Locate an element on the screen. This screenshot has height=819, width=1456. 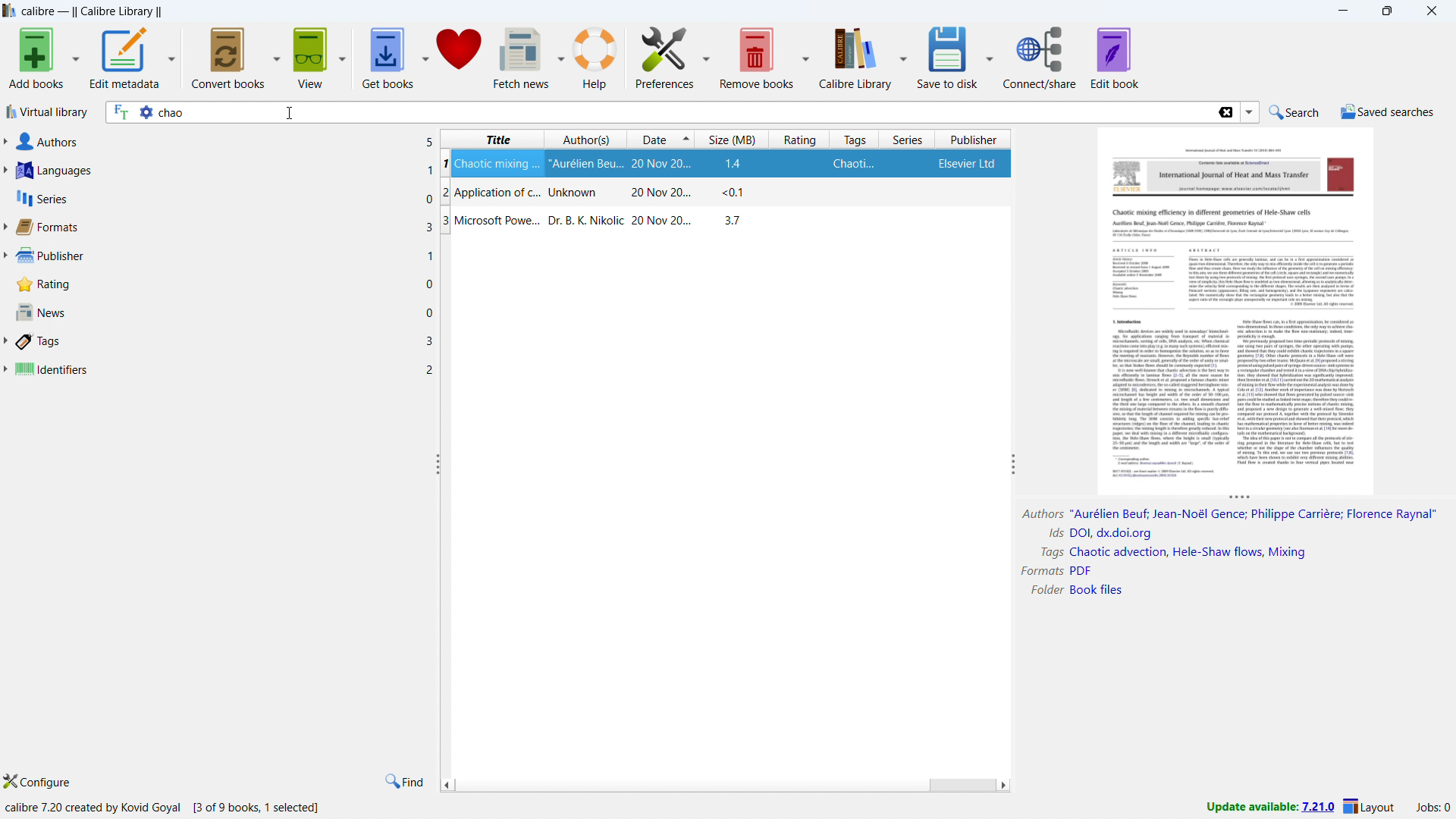
get books options is located at coordinates (425, 56).